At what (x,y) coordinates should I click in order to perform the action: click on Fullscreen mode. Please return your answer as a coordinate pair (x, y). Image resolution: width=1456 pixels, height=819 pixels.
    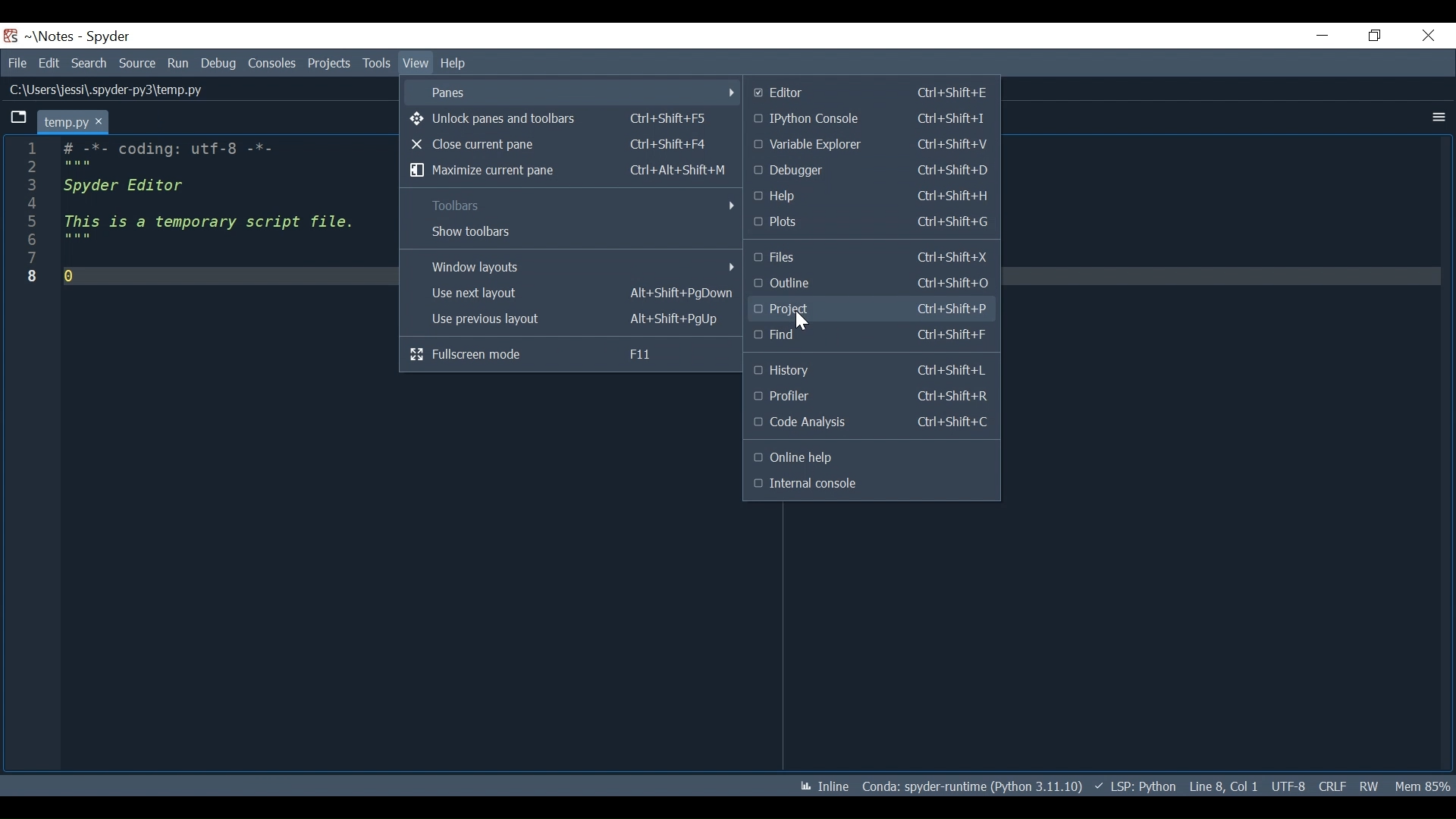
    Looking at the image, I should click on (570, 355).